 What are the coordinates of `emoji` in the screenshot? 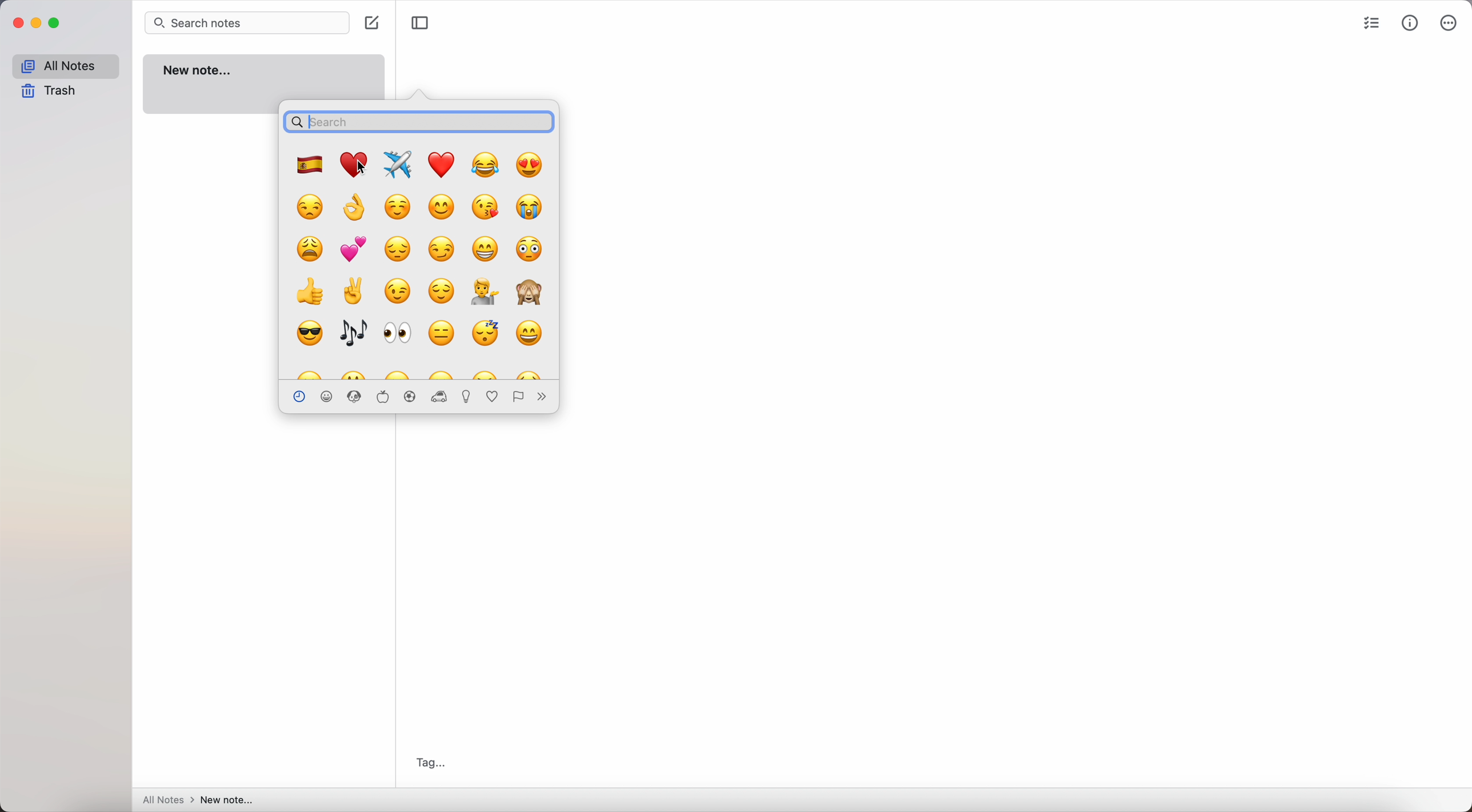 It's located at (398, 333).